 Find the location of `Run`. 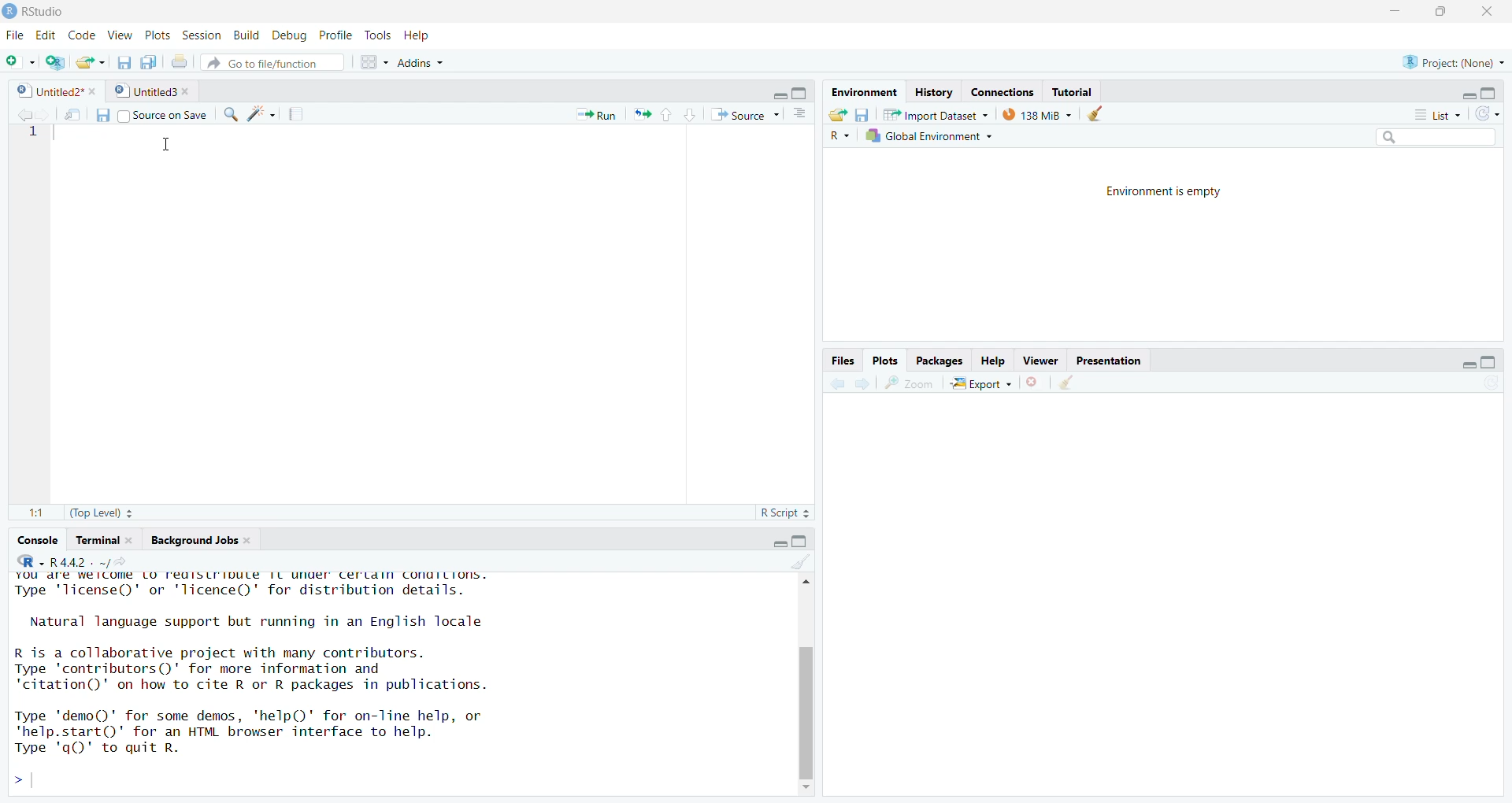

Run is located at coordinates (589, 113).